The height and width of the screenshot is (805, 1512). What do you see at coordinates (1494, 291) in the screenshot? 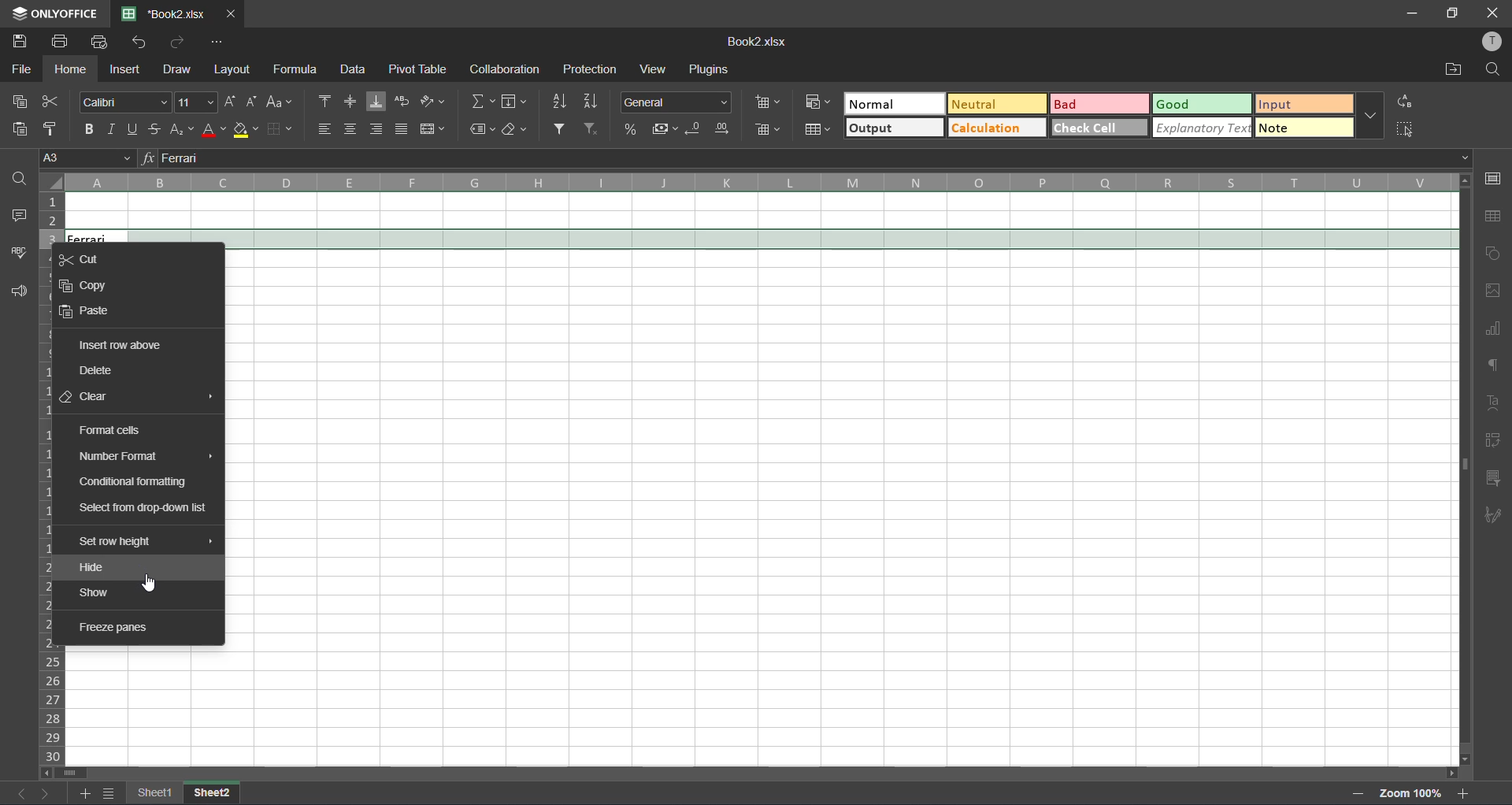
I see `images` at bounding box center [1494, 291].